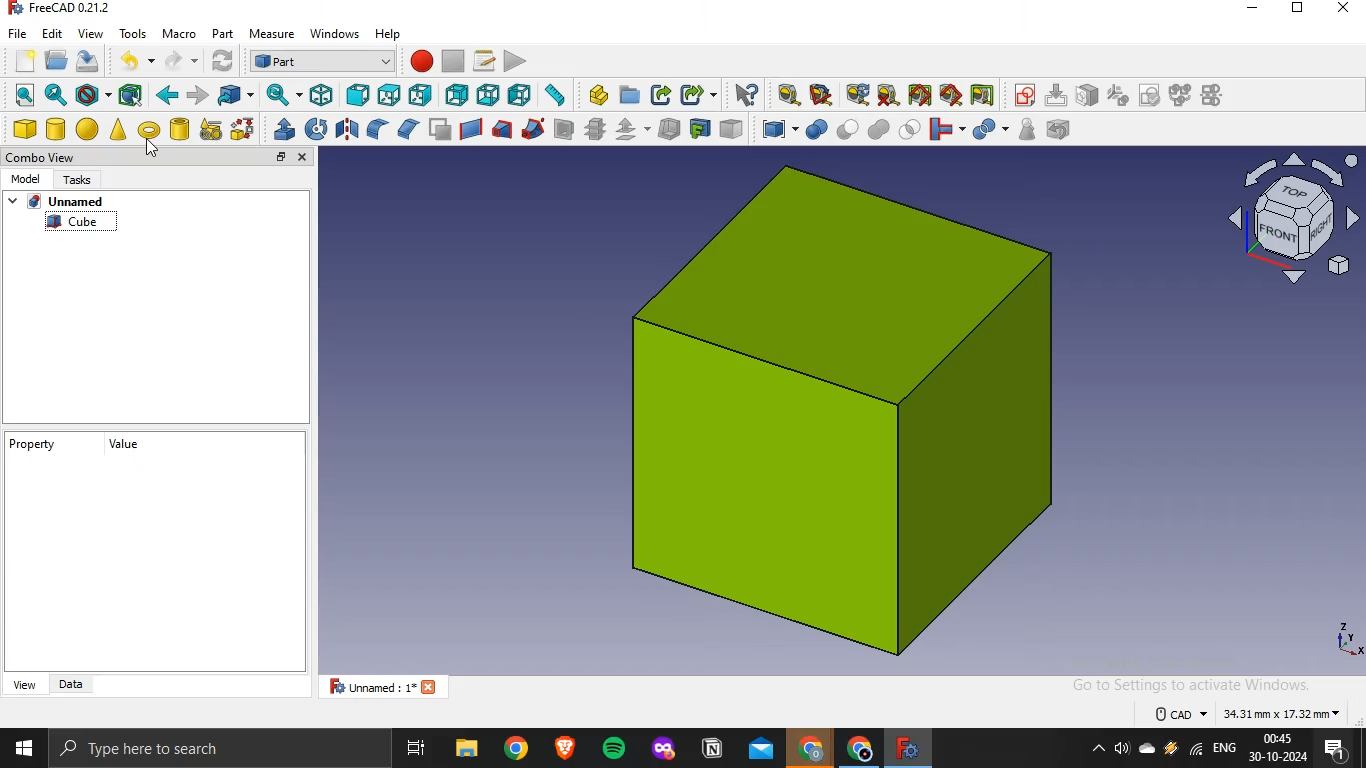  What do you see at coordinates (284, 129) in the screenshot?
I see `extrude` at bounding box center [284, 129].